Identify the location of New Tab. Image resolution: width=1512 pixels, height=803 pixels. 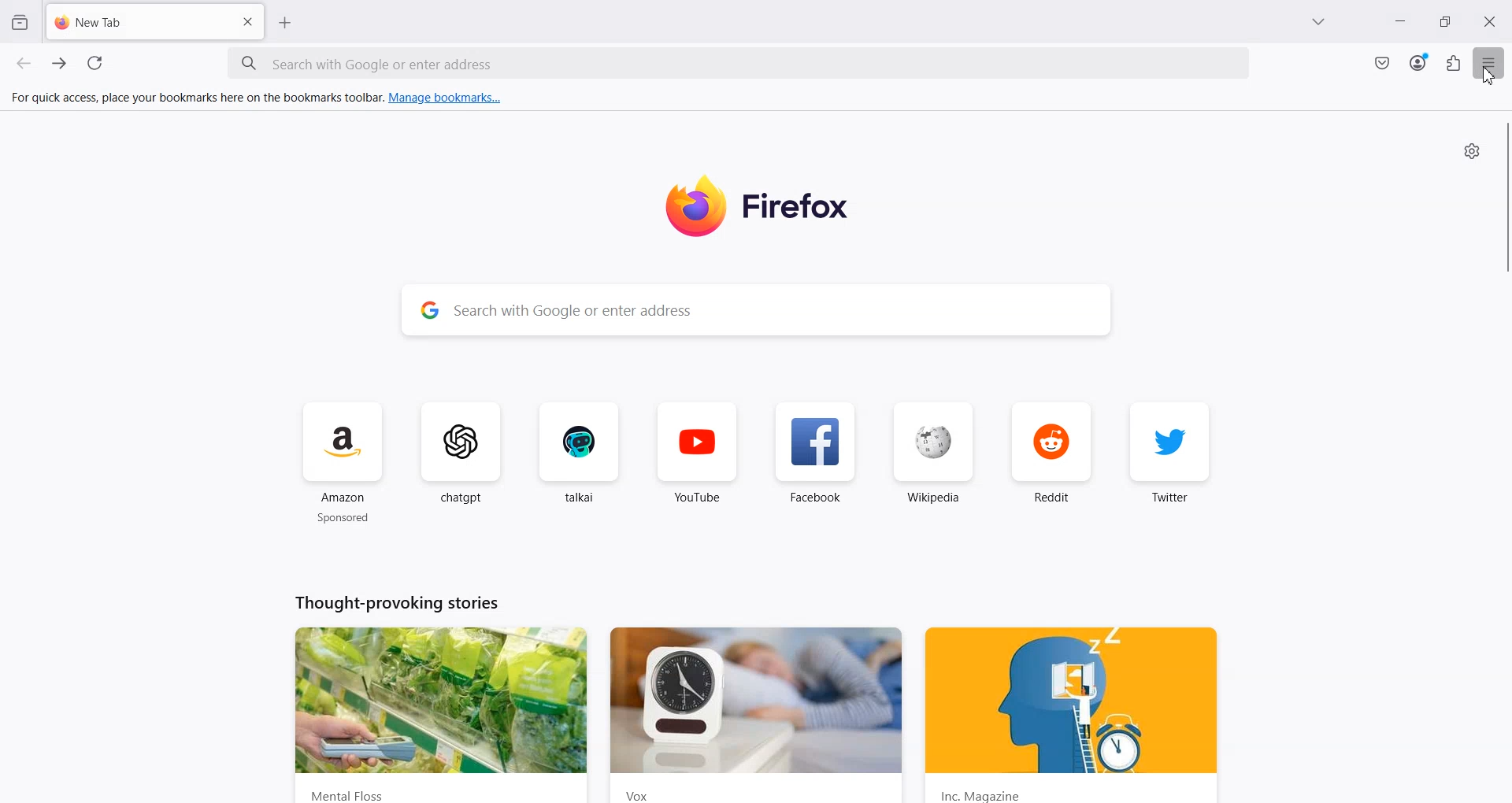
(155, 21).